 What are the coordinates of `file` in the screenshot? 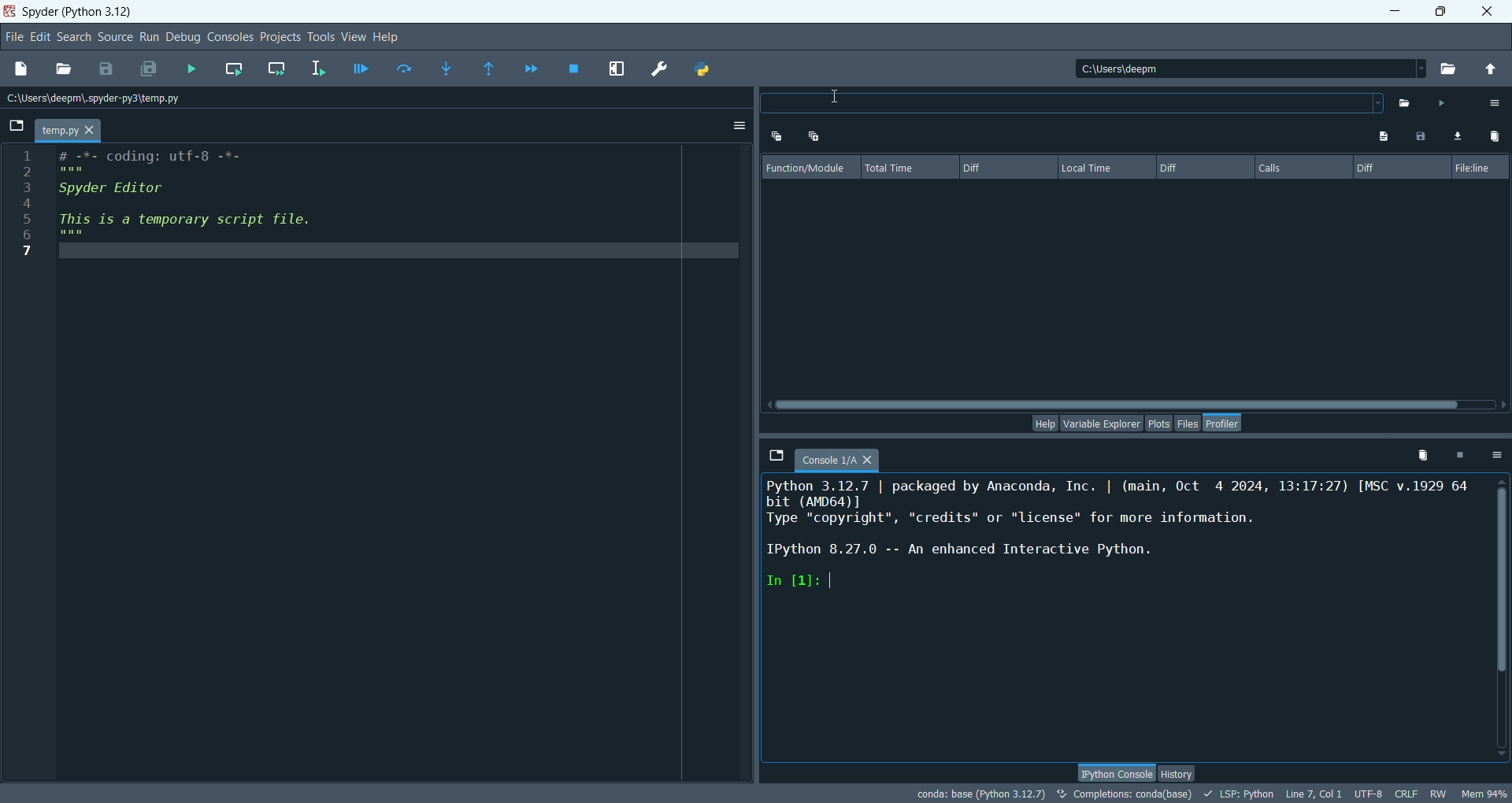 It's located at (16, 39).